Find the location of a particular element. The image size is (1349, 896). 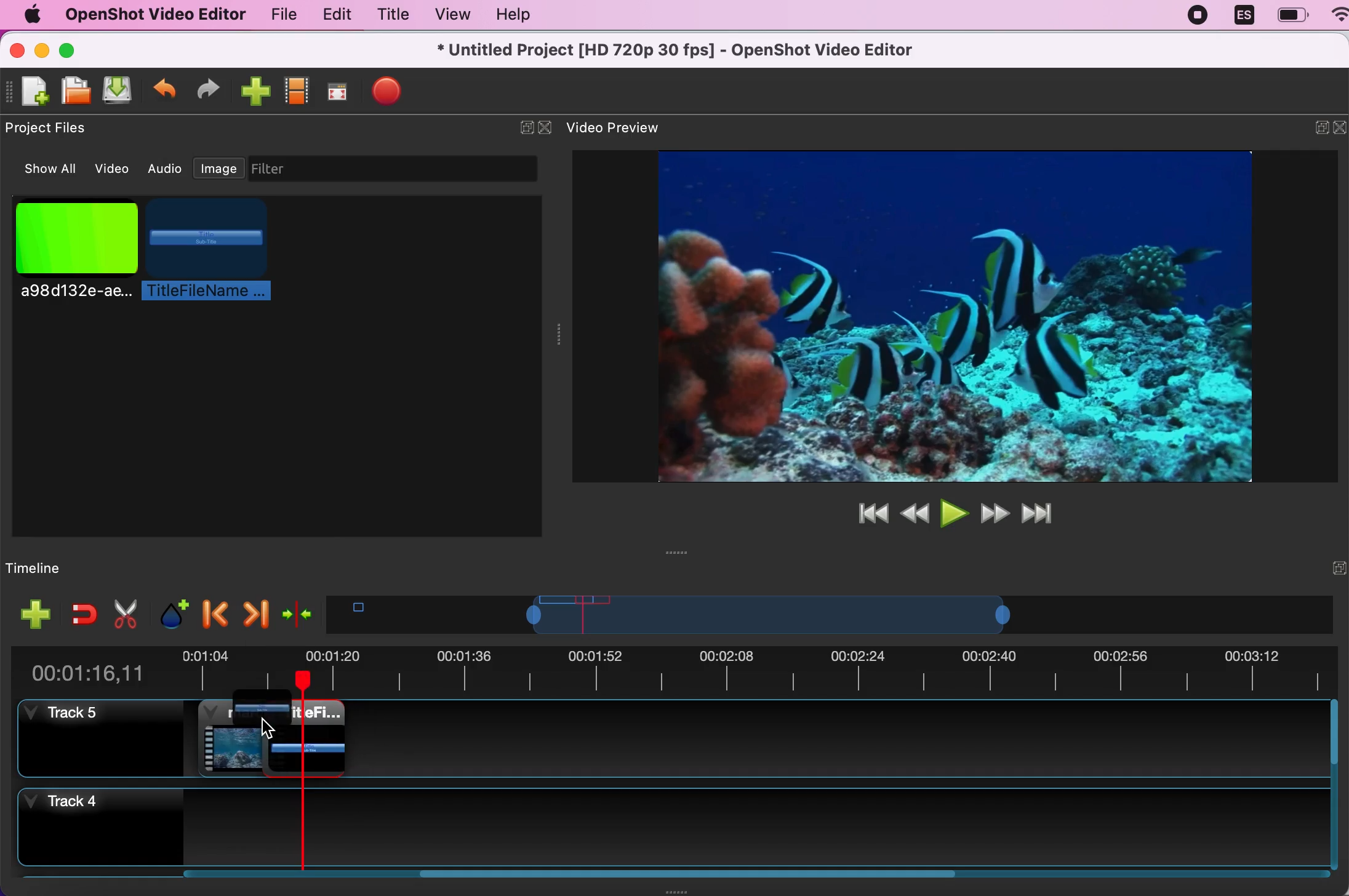

video preview is located at coordinates (623, 129).